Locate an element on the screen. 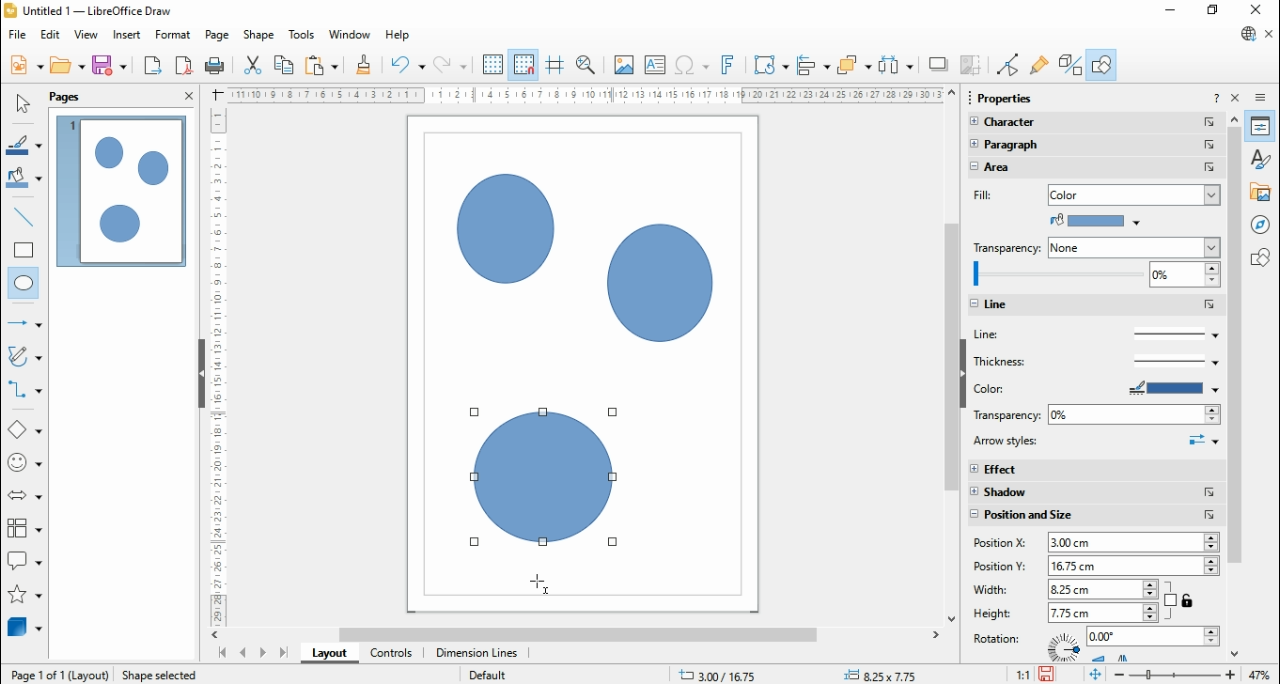 The width and height of the screenshot is (1280, 684). basic shapes is located at coordinates (25, 432).